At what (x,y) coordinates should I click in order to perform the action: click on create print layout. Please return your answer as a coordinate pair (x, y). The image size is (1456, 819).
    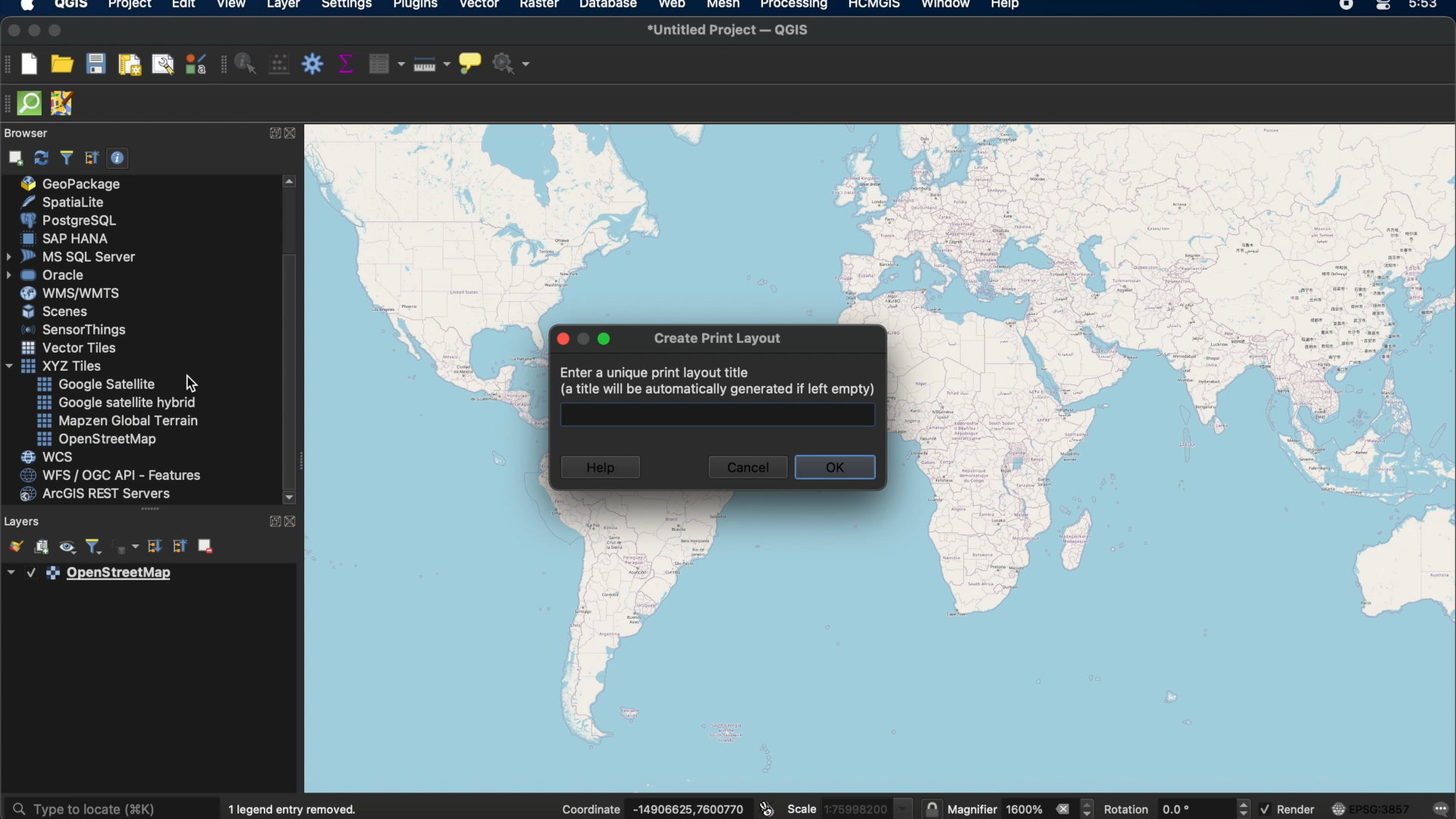
    Looking at the image, I should click on (718, 338).